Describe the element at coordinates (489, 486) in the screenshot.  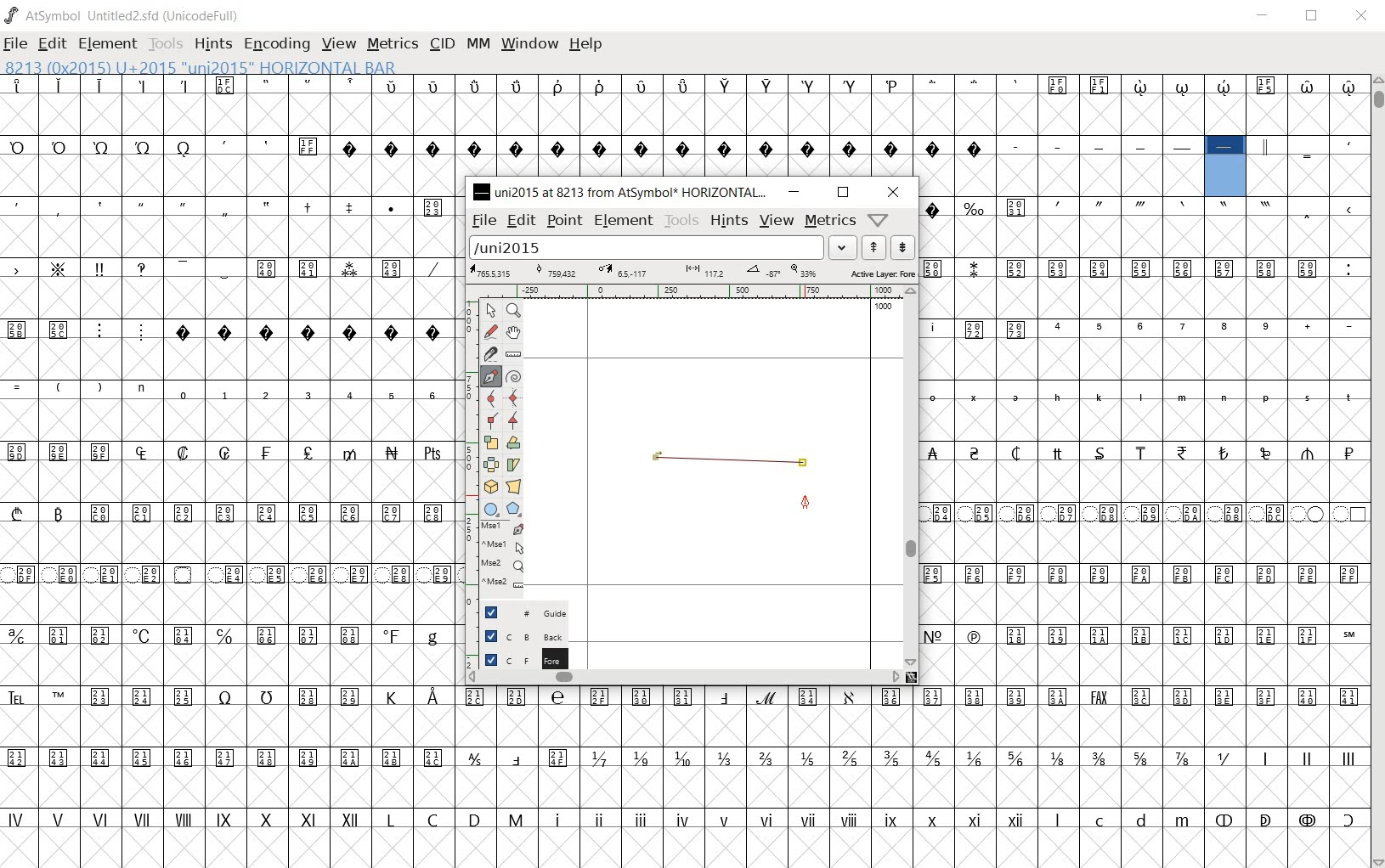
I see `rotate the selection in 3D and project back to plane` at that location.